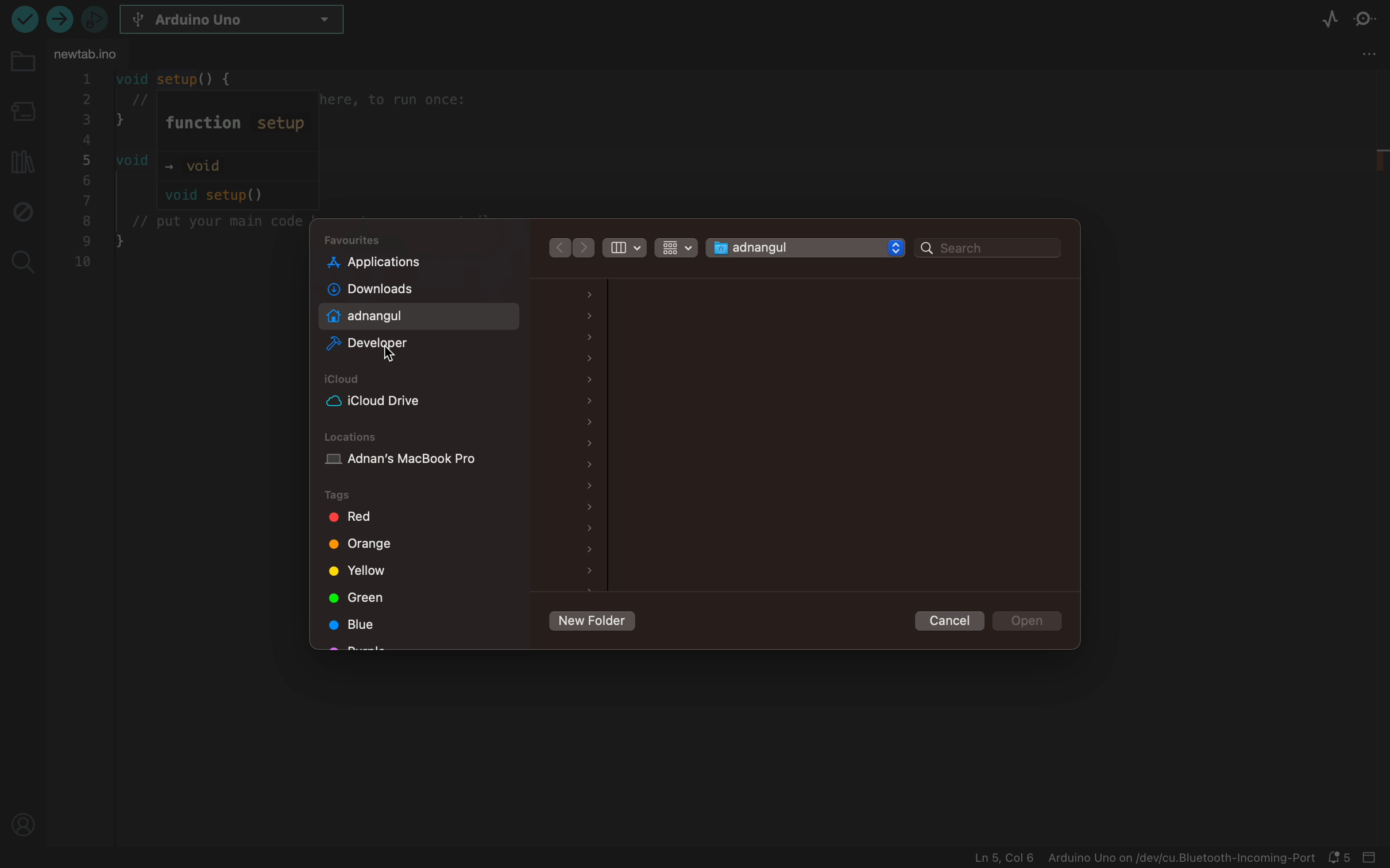 This screenshot has height=868, width=1390. I want to click on select folder, so click(789, 248).